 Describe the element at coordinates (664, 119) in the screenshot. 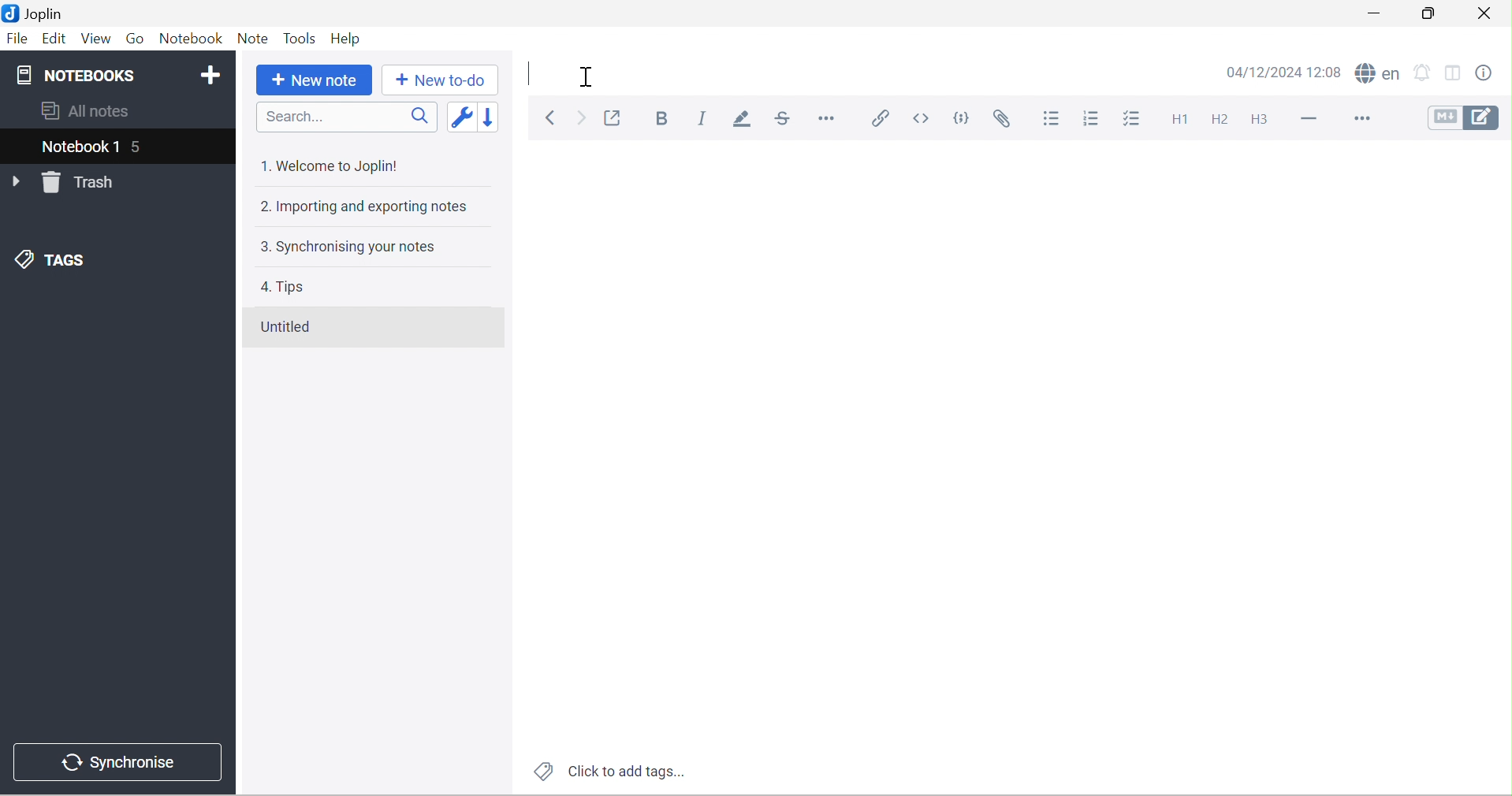

I see `Bold` at that location.